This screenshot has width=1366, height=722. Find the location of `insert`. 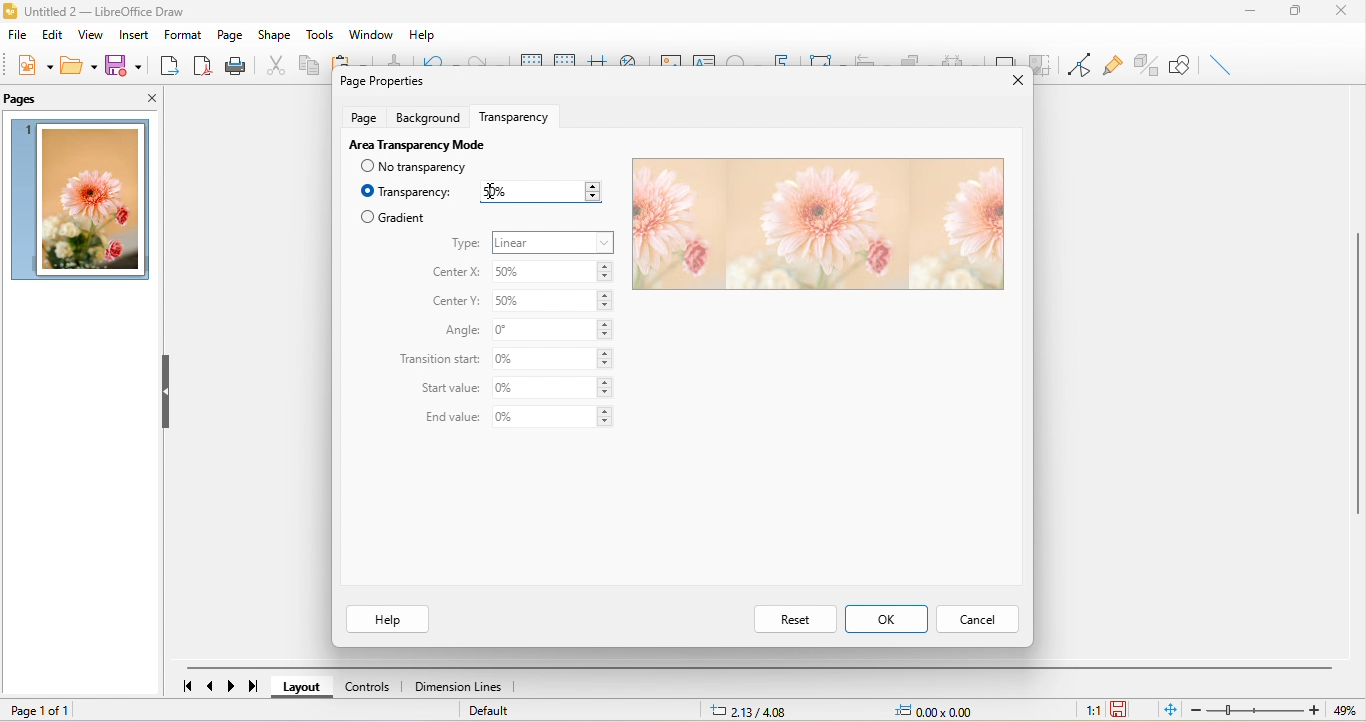

insert is located at coordinates (138, 33).